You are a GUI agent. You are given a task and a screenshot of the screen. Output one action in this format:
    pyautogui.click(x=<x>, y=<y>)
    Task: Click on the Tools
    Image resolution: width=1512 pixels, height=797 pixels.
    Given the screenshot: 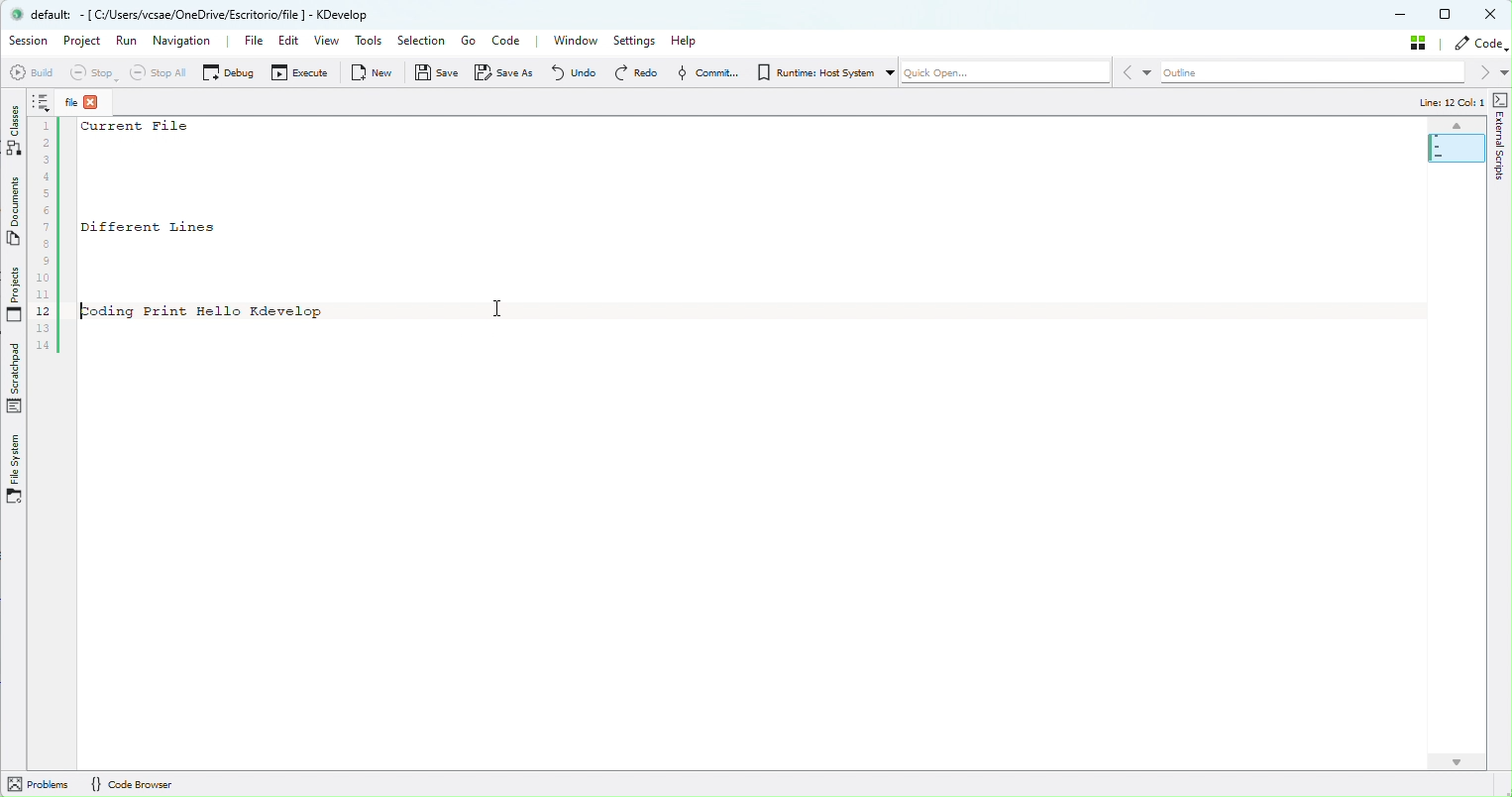 What is the action you would take?
    pyautogui.click(x=371, y=41)
    